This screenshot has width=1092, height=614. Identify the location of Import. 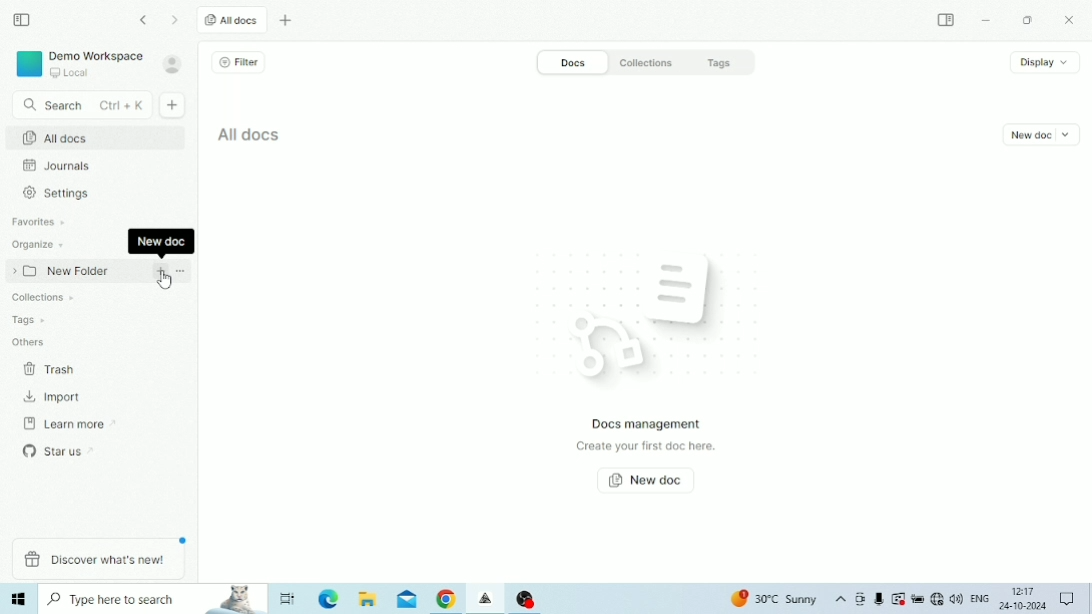
(54, 396).